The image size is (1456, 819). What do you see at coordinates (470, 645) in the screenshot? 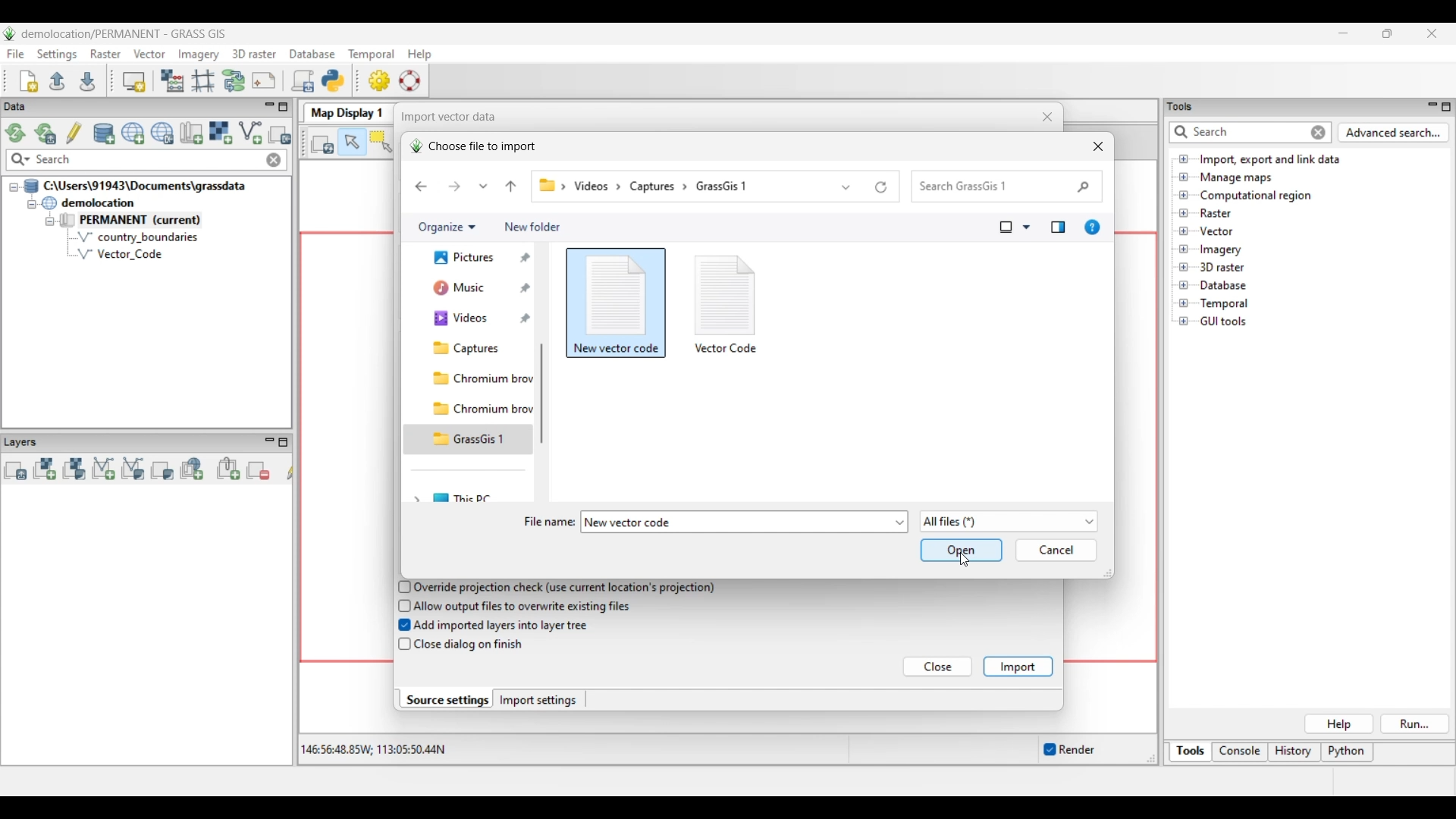
I see `Close dialog on finish` at bounding box center [470, 645].